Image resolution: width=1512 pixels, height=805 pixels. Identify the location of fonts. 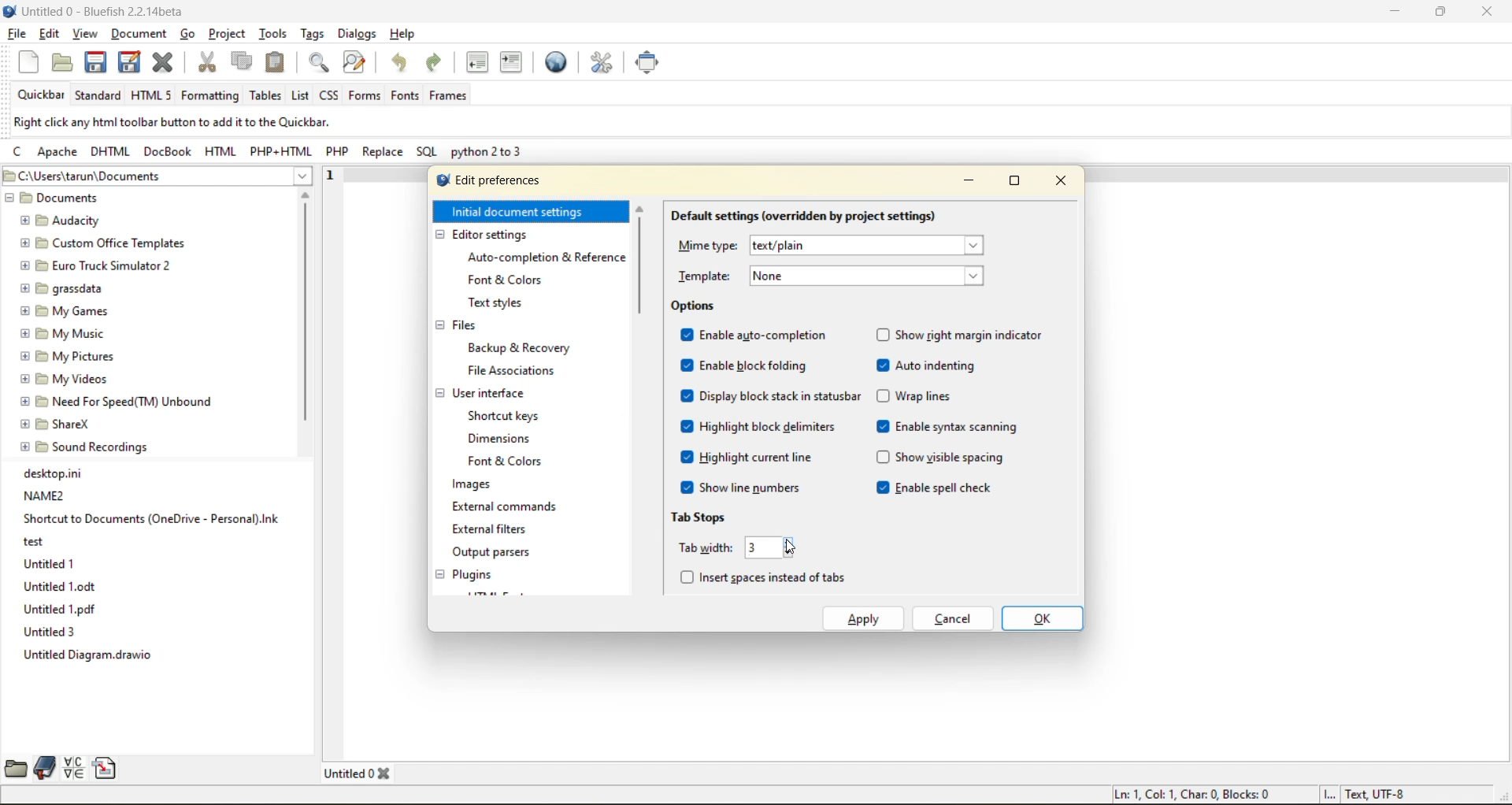
(405, 97).